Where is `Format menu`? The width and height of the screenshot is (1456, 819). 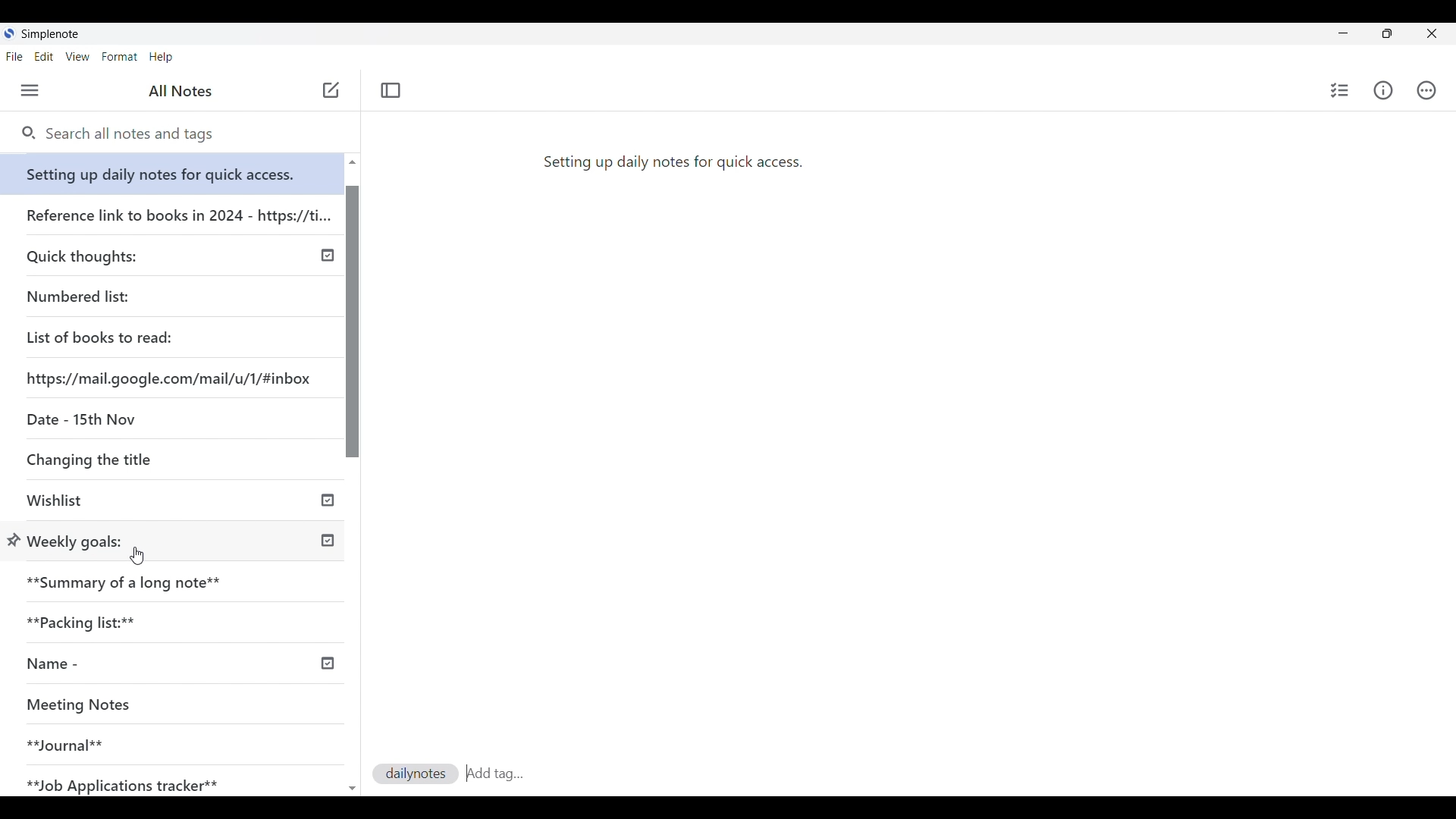 Format menu is located at coordinates (120, 57).